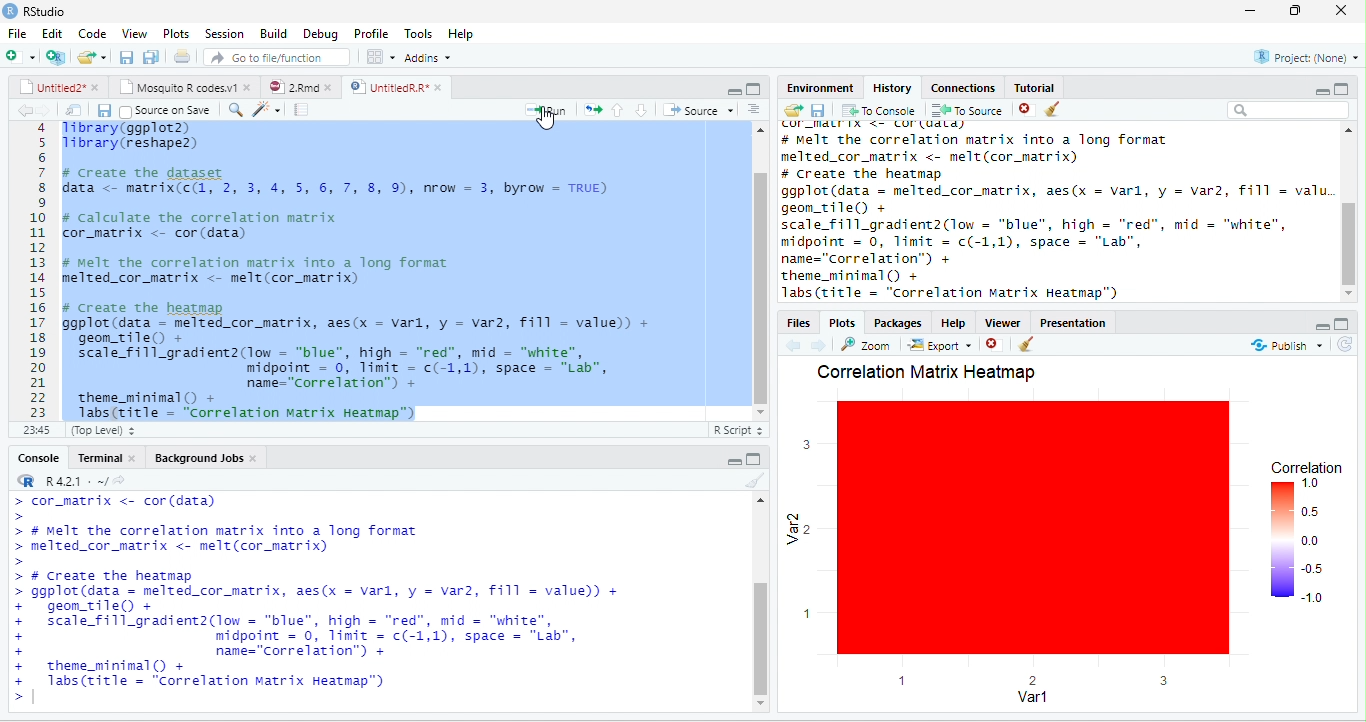 The width and height of the screenshot is (1366, 722). I want to click on mosquito R codes v1, so click(183, 87).